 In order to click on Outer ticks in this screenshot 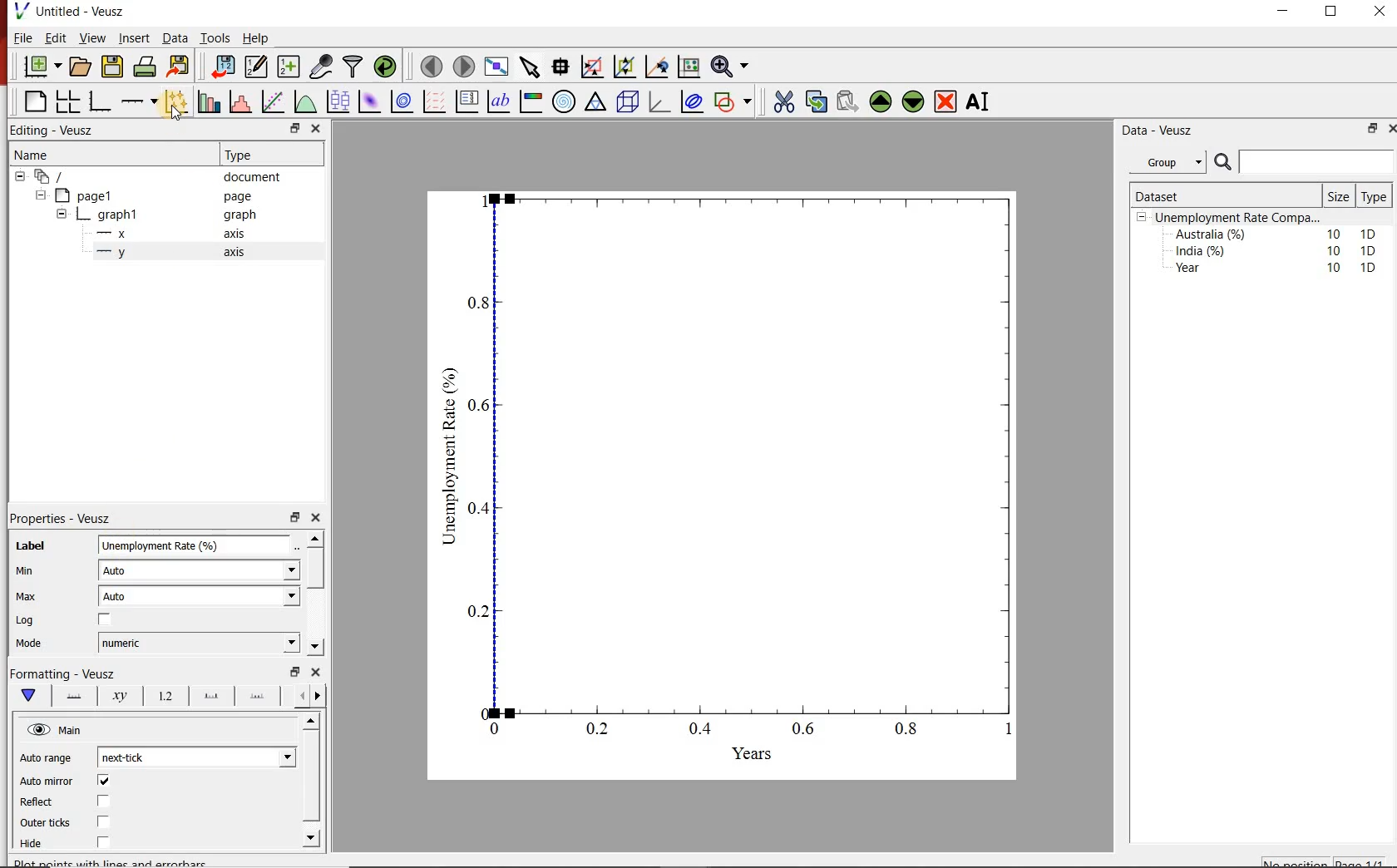, I will do `click(46, 823)`.